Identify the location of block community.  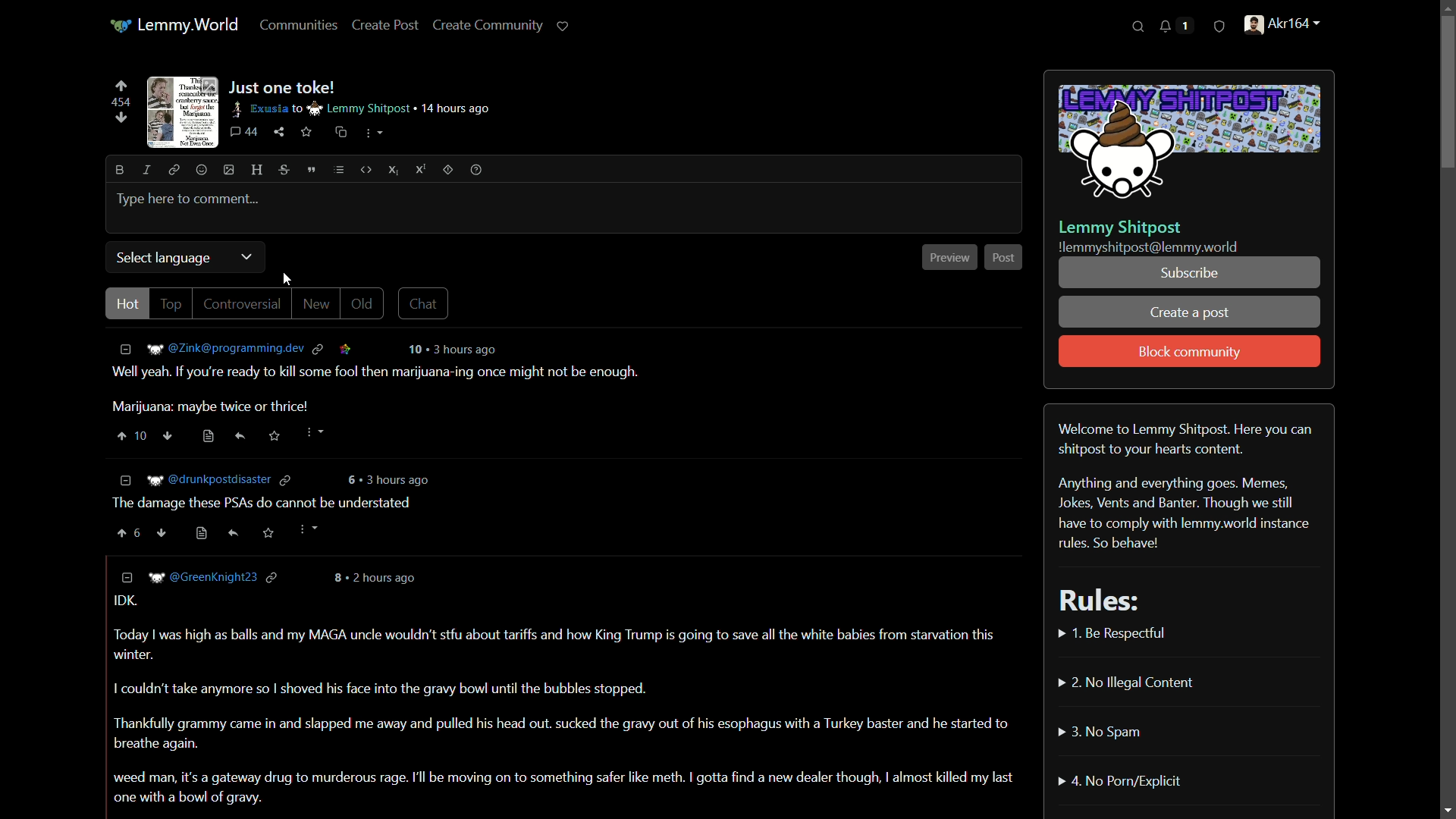
(1189, 352).